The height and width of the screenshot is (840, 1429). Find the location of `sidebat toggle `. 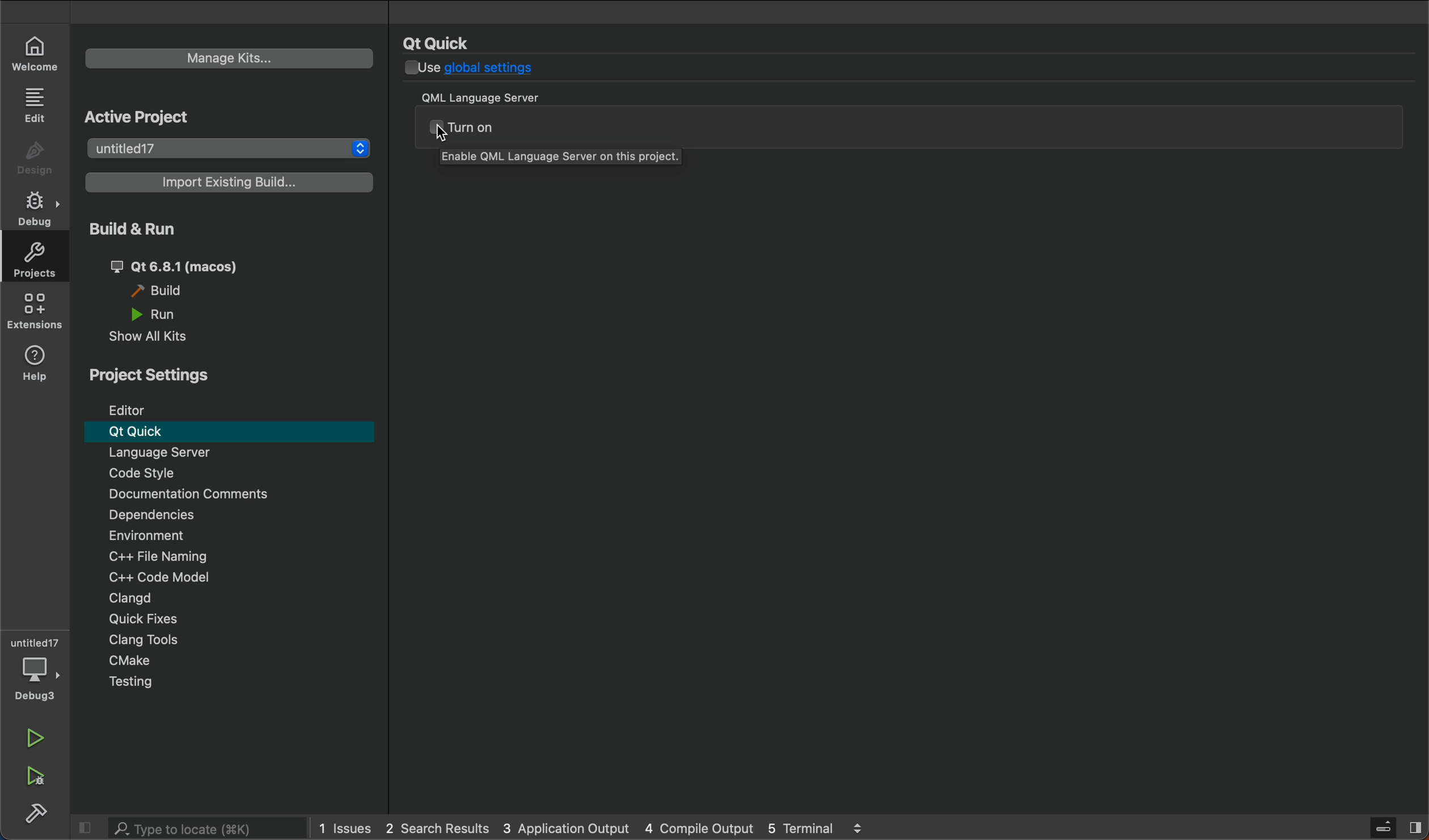

sidebat toggle  is located at coordinates (1394, 826).